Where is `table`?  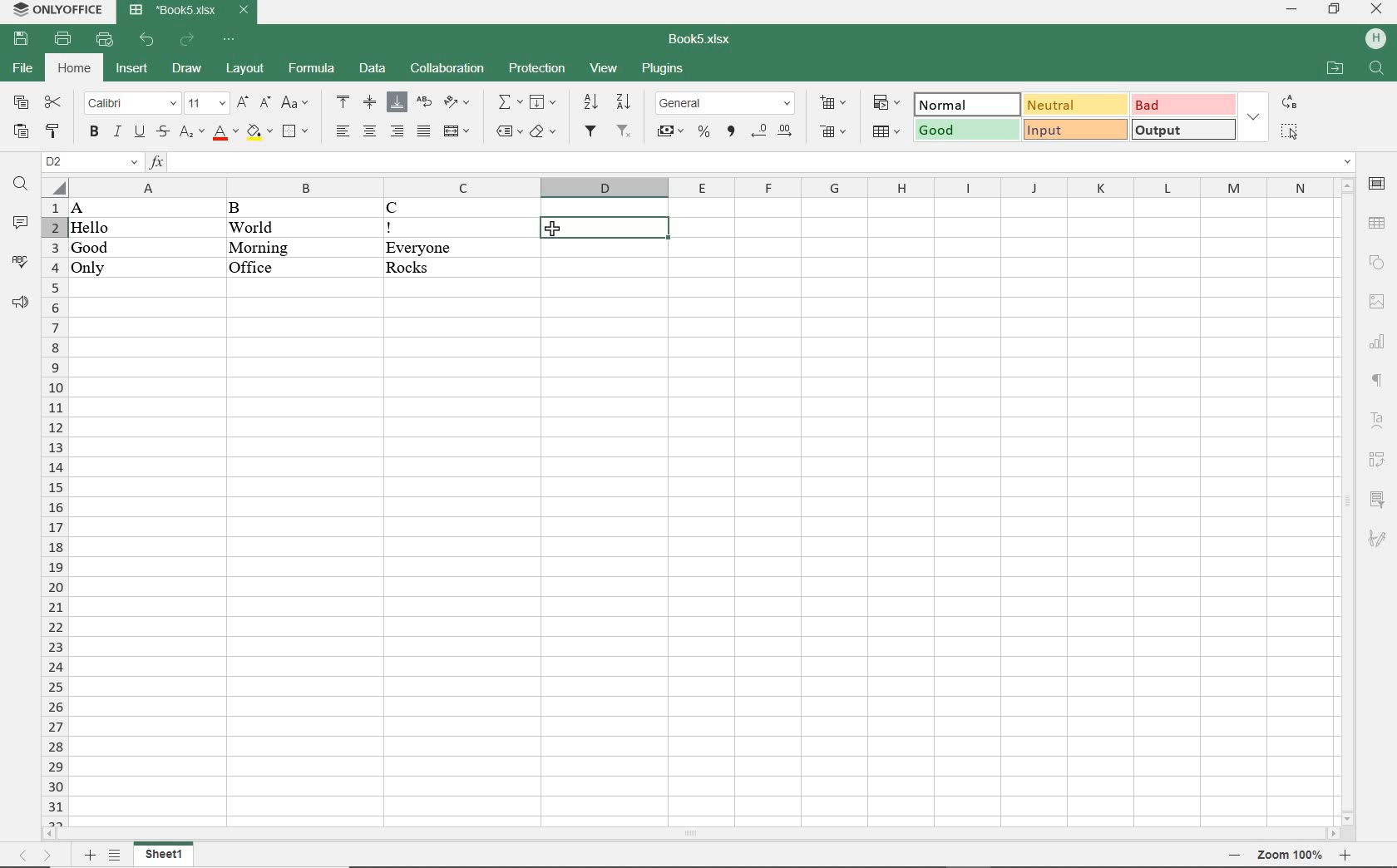
table is located at coordinates (1377, 223).